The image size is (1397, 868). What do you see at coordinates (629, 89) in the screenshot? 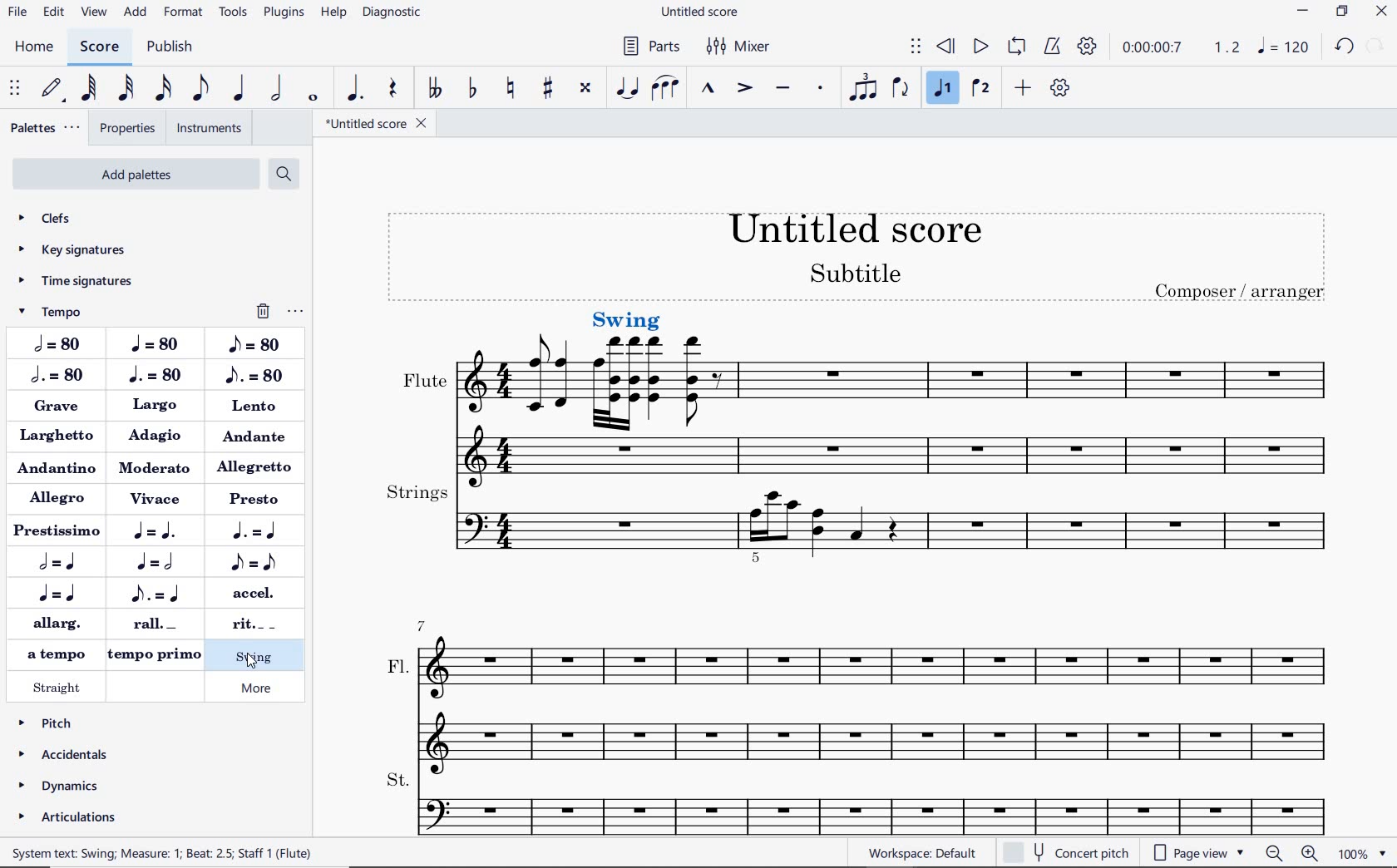
I see `TIE` at bounding box center [629, 89].